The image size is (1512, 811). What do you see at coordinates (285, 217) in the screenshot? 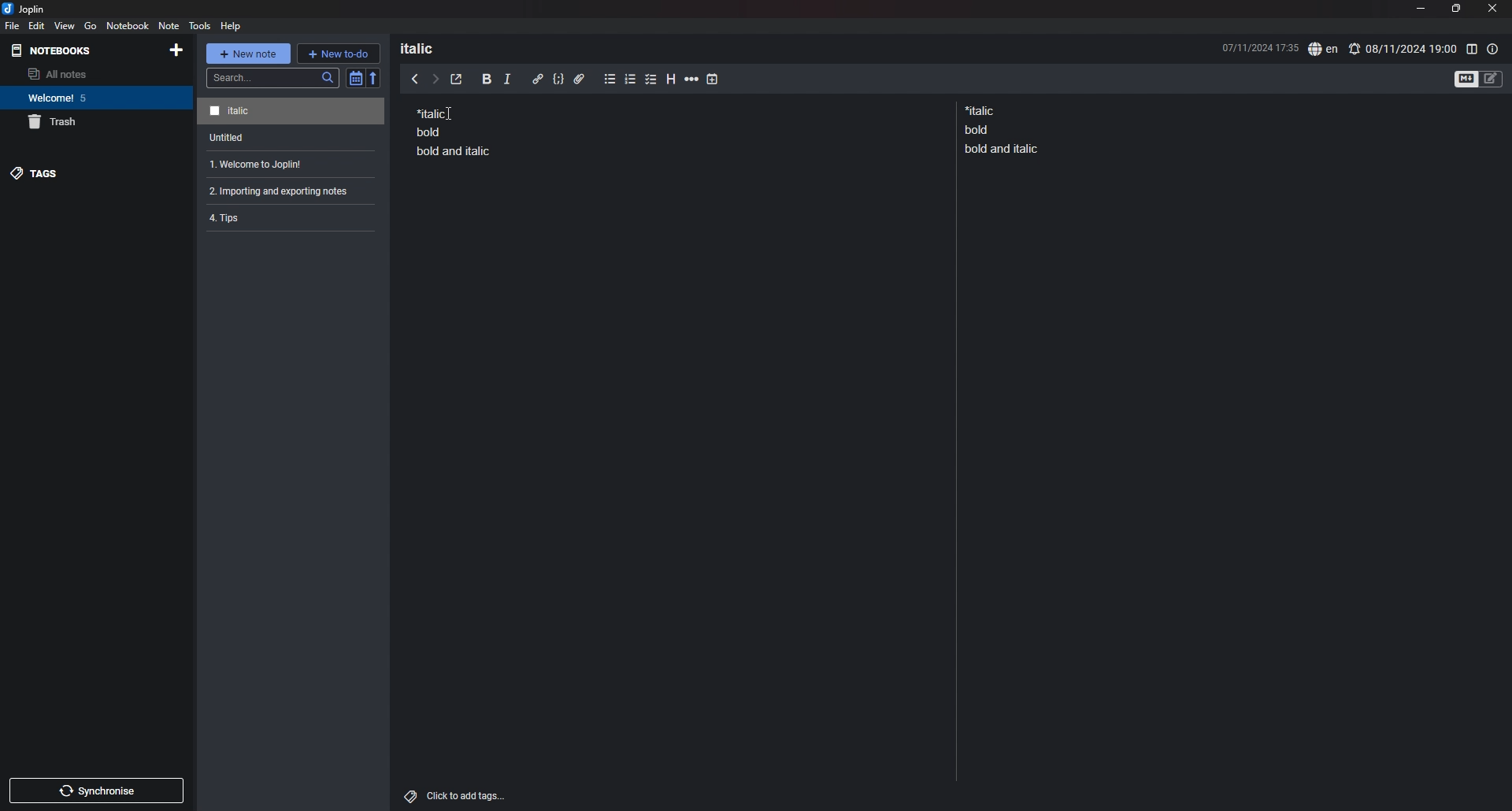
I see `note` at bounding box center [285, 217].